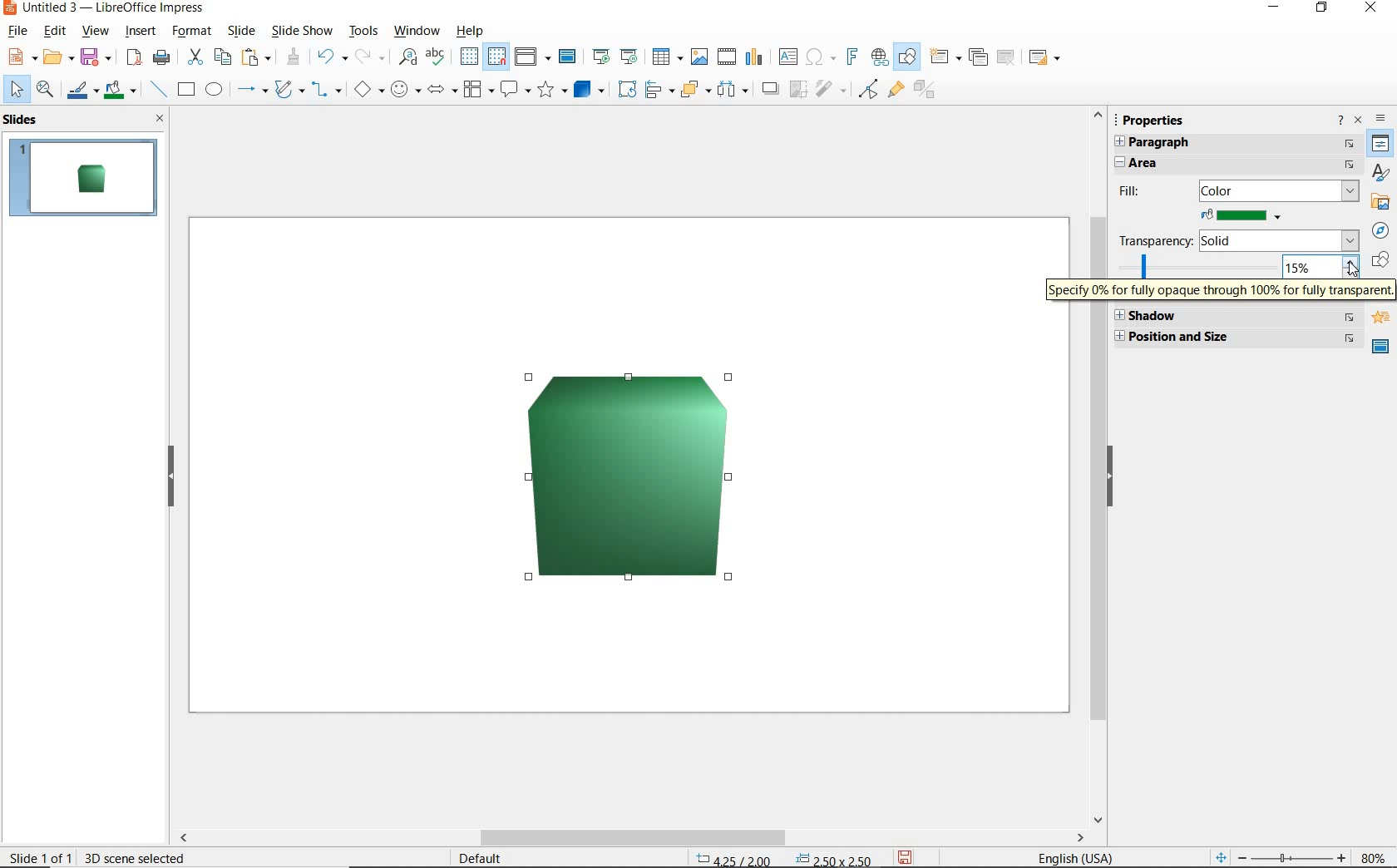  What do you see at coordinates (161, 120) in the screenshot?
I see `CLOSE` at bounding box center [161, 120].